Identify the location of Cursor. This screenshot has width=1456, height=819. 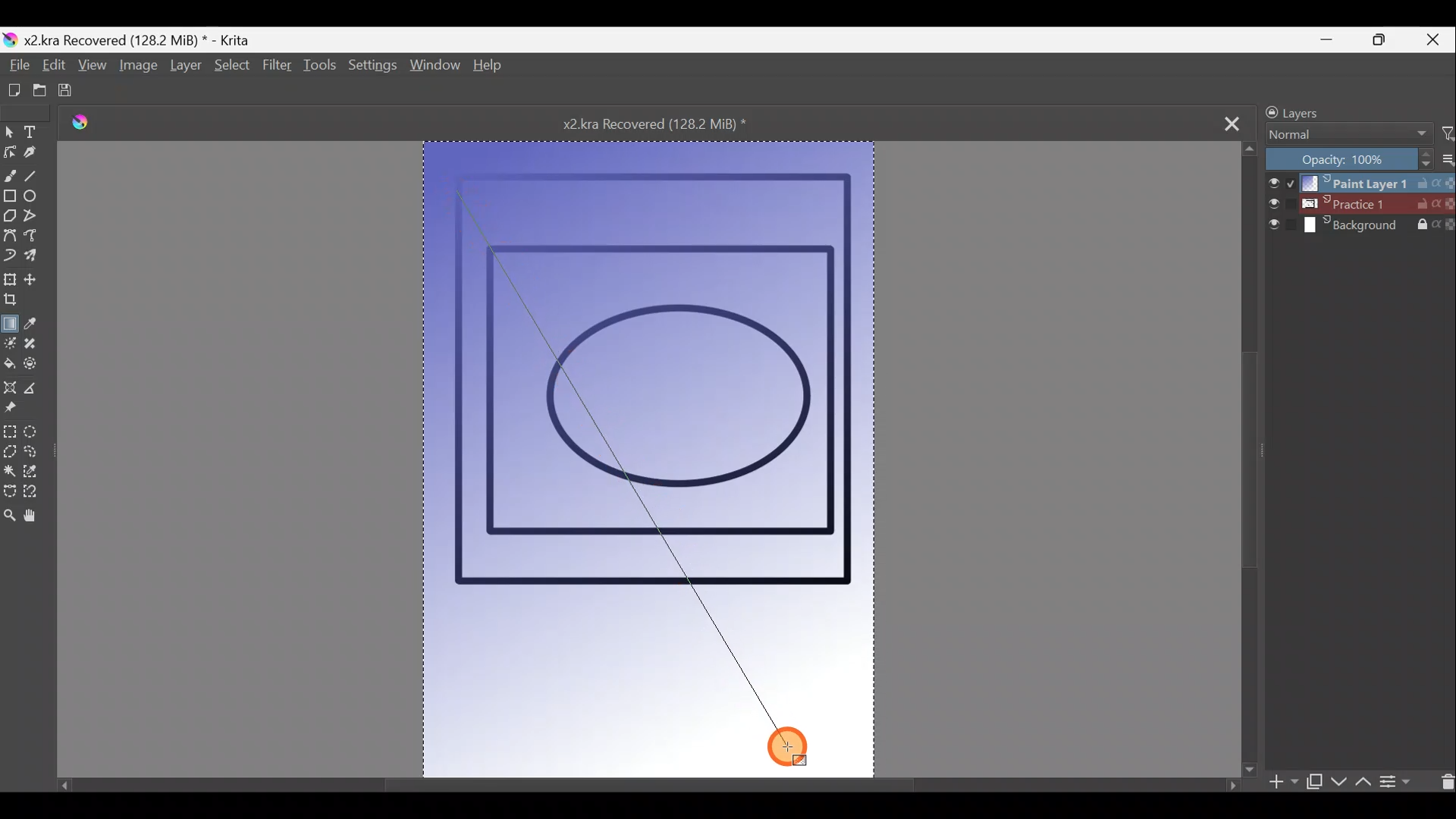
(792, 746).